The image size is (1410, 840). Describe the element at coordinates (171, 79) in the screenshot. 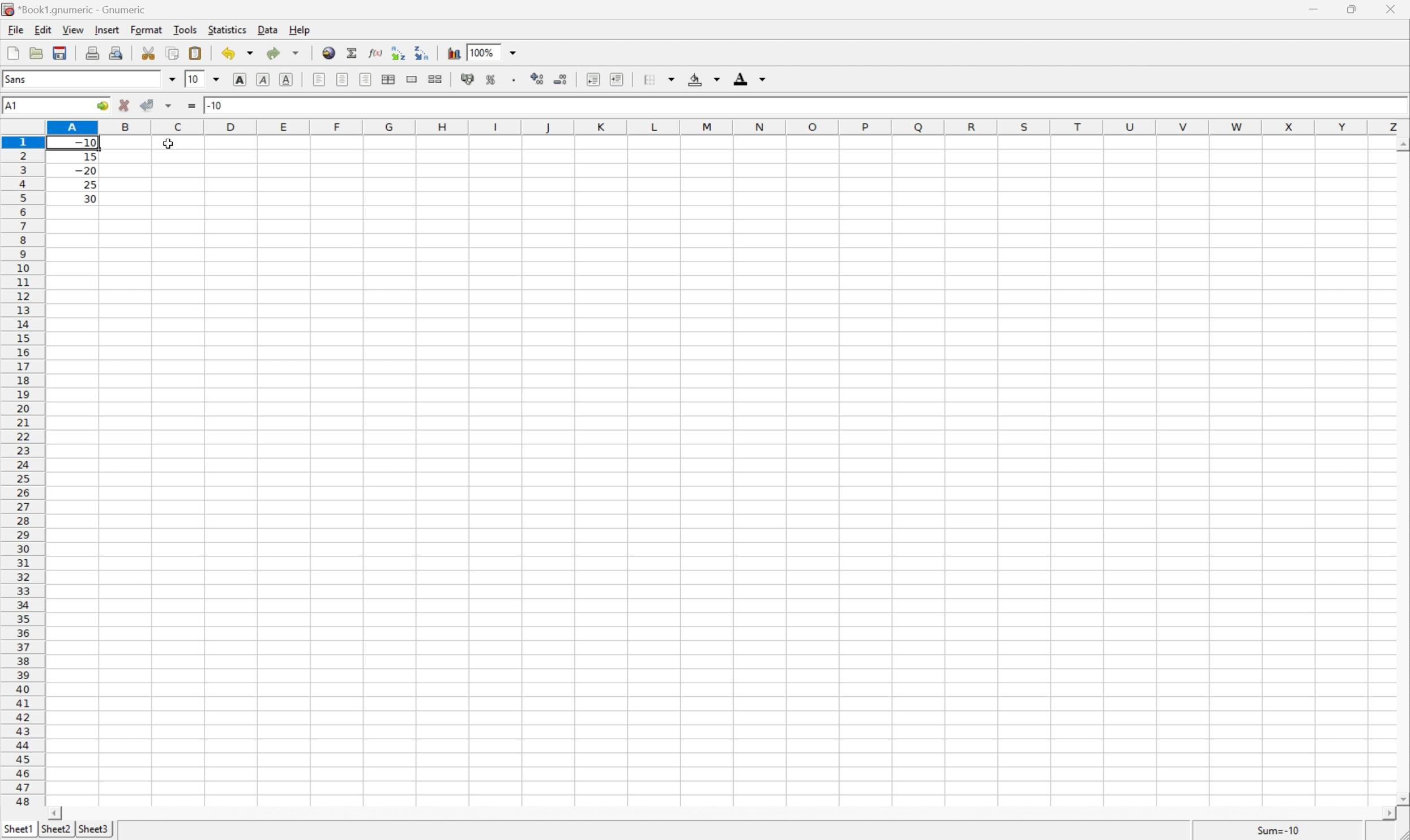

I see `Drop Down` at that location.